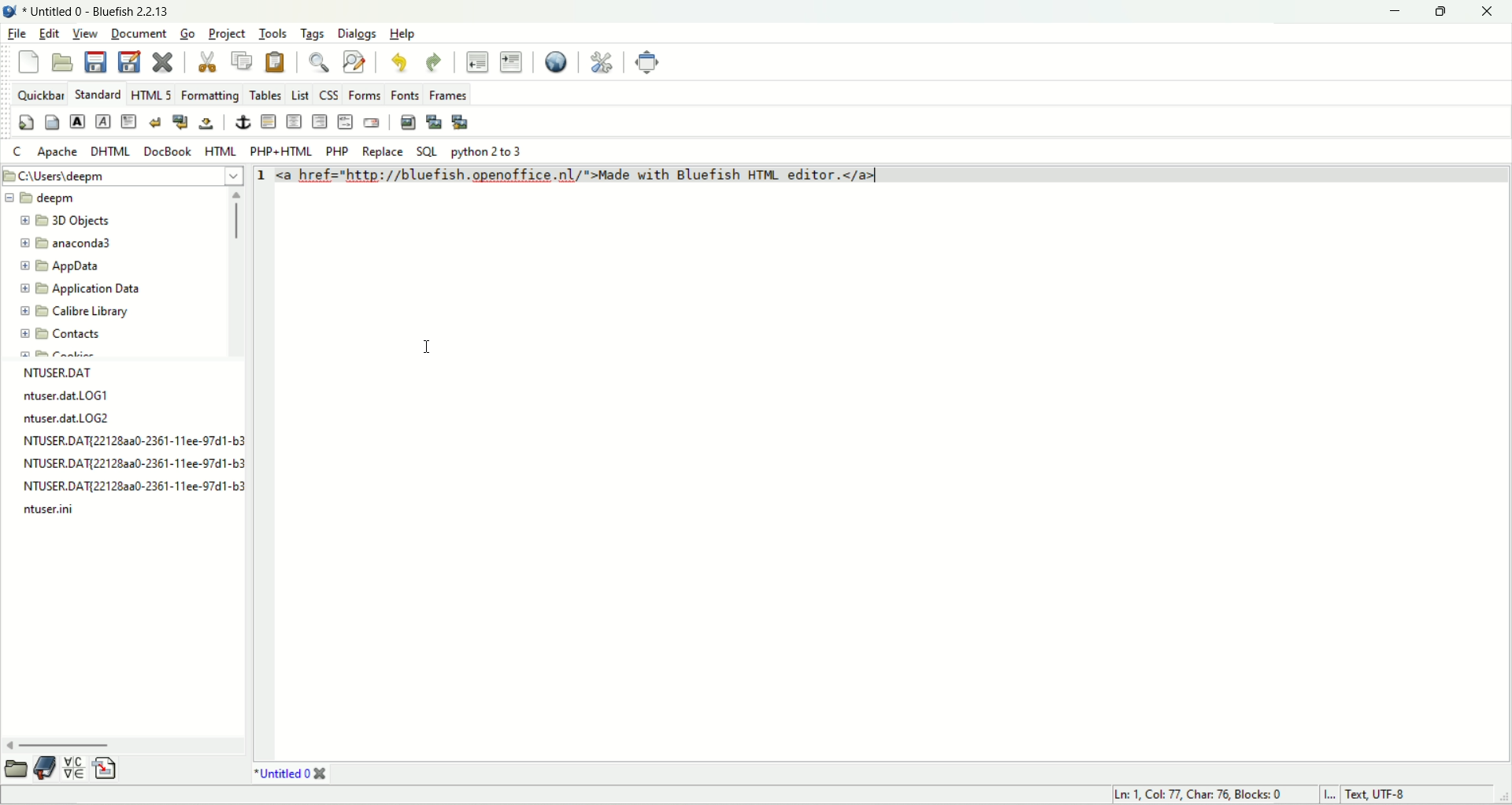 The image size is (1512, 805). What do you see at coordinates (1193, 795) in the screenshot?
I see `ln, col, char, blocks` at bounding box center [1193, 795].